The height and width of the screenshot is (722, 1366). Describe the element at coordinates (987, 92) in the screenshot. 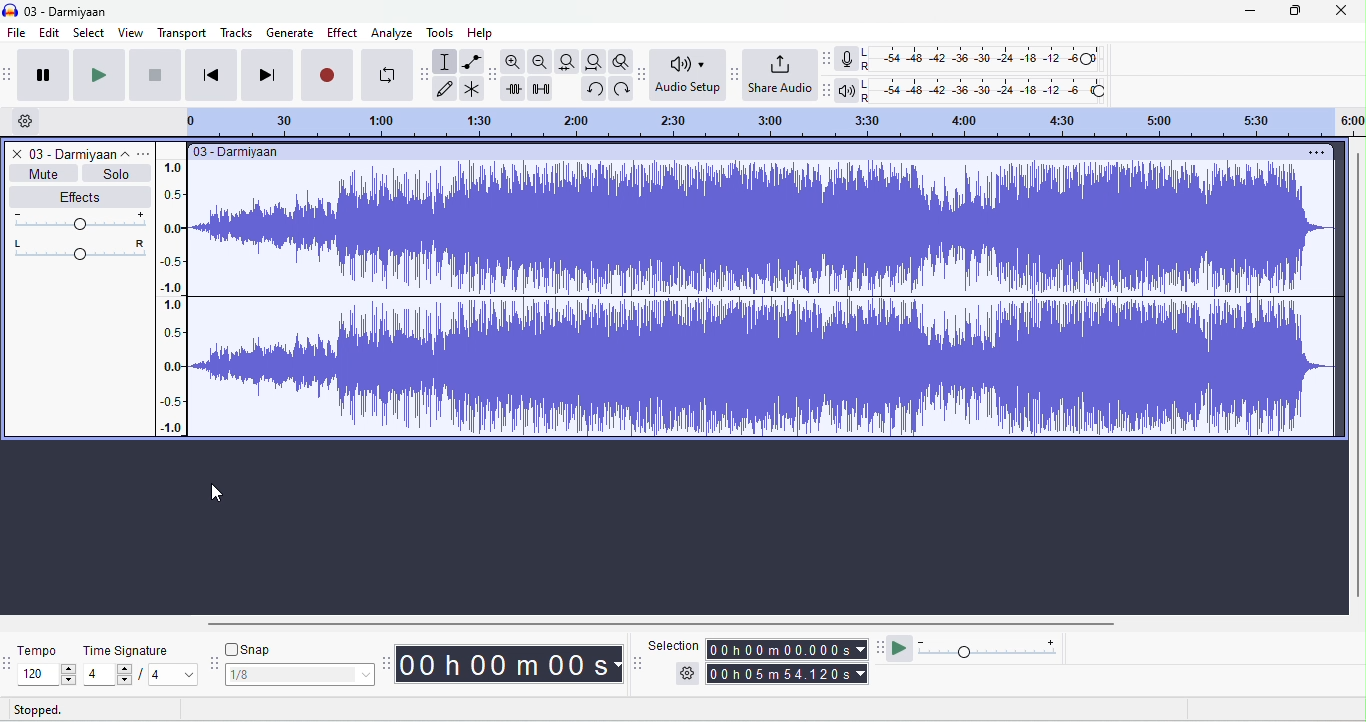

I see `playback level` at that location.